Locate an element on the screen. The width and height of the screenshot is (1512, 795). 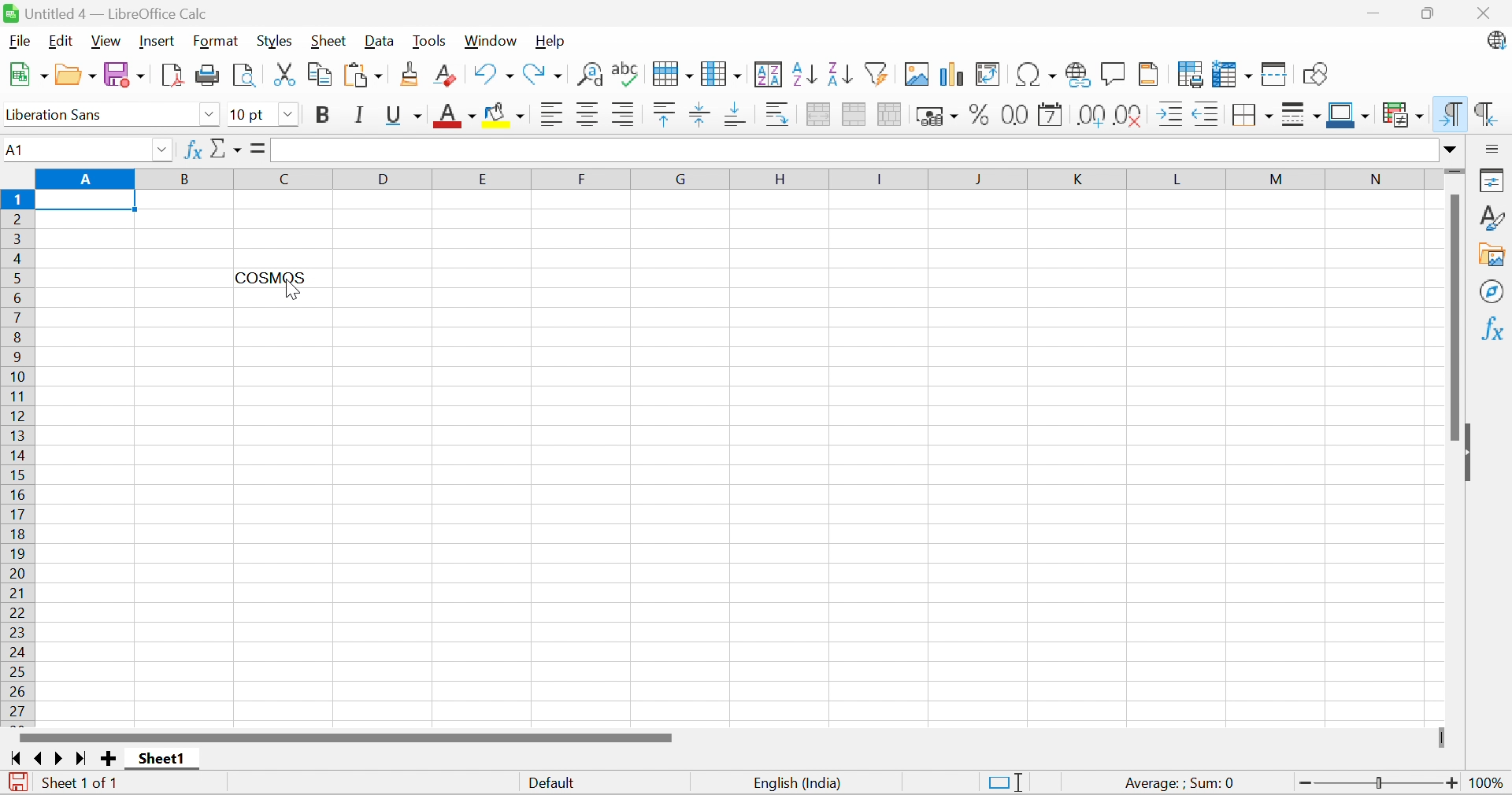
Cut is located at coordinates (287, 74).